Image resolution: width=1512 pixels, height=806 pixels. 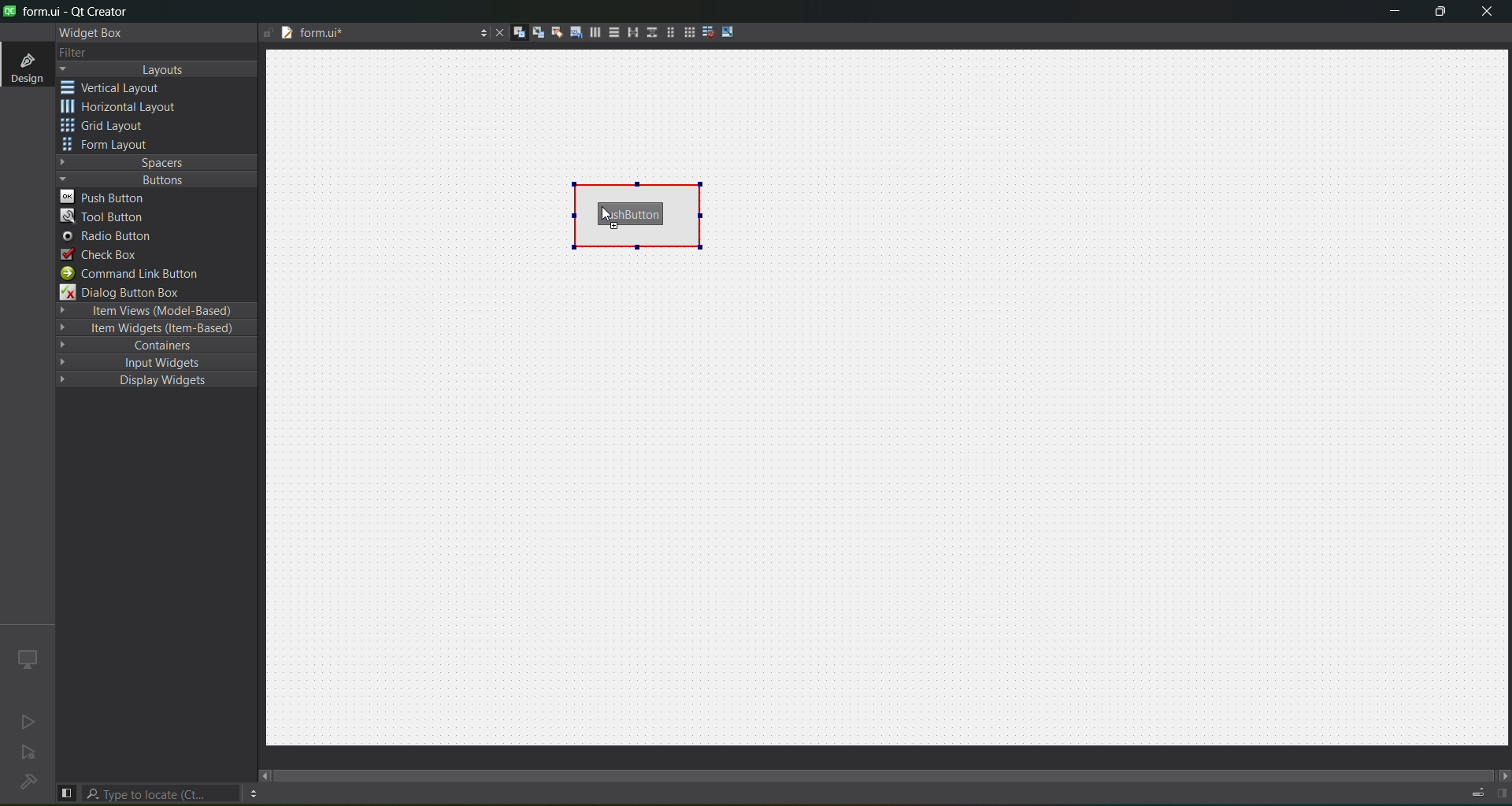 I want to click on grid layout, so click(x=108, y=128).